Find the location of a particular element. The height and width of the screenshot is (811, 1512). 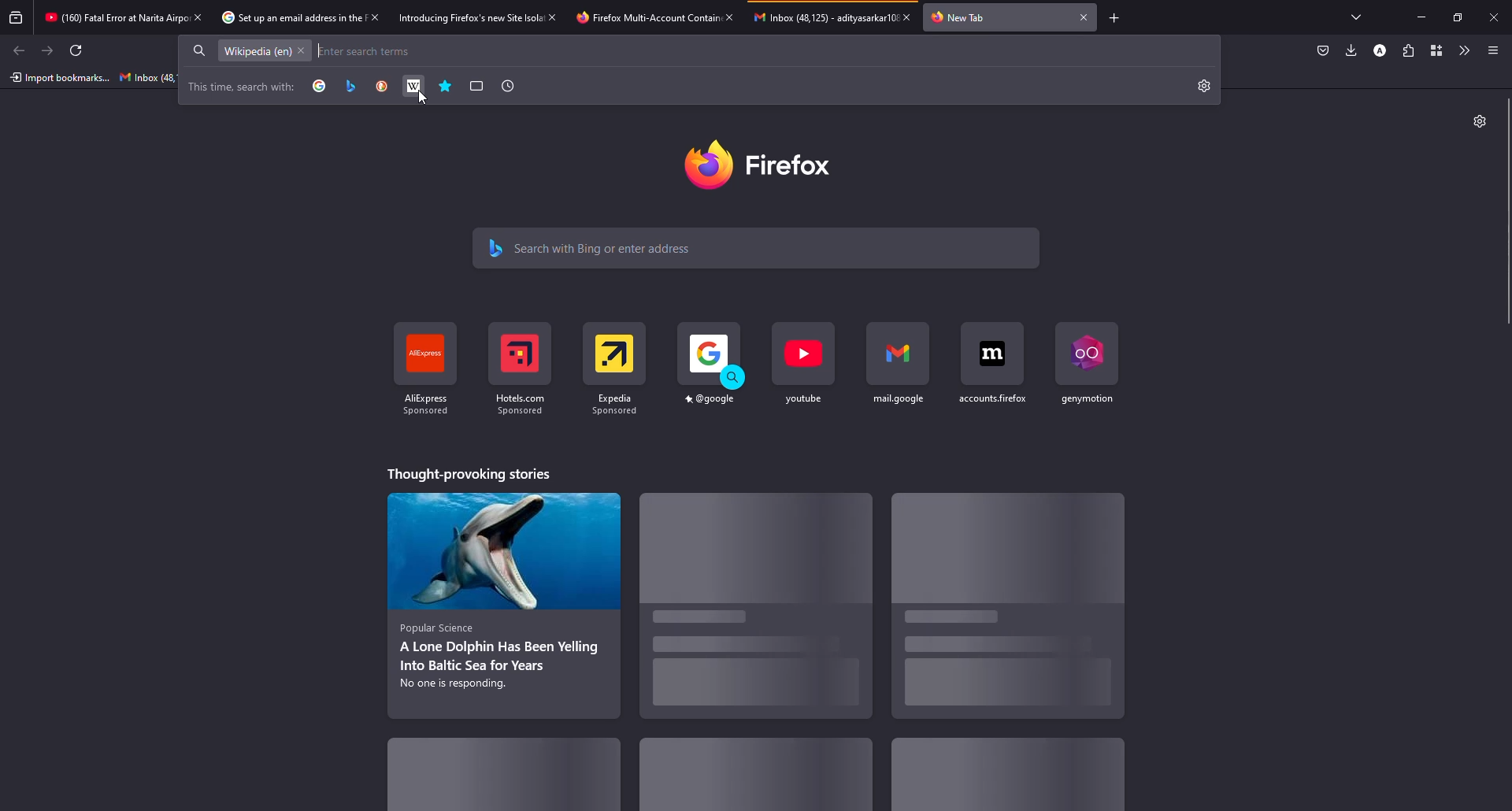

close is located at coordinates (731, 17).